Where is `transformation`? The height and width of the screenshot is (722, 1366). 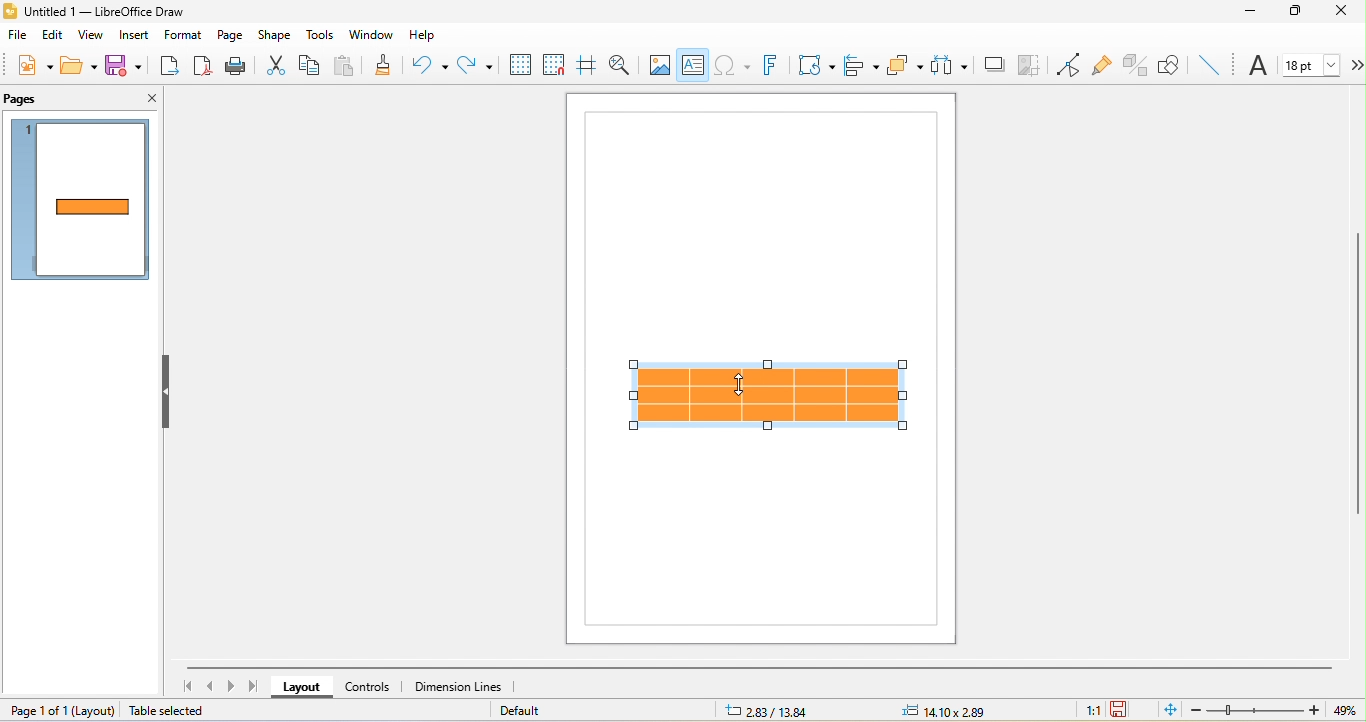 transformation is located at coordinates (813, 63).